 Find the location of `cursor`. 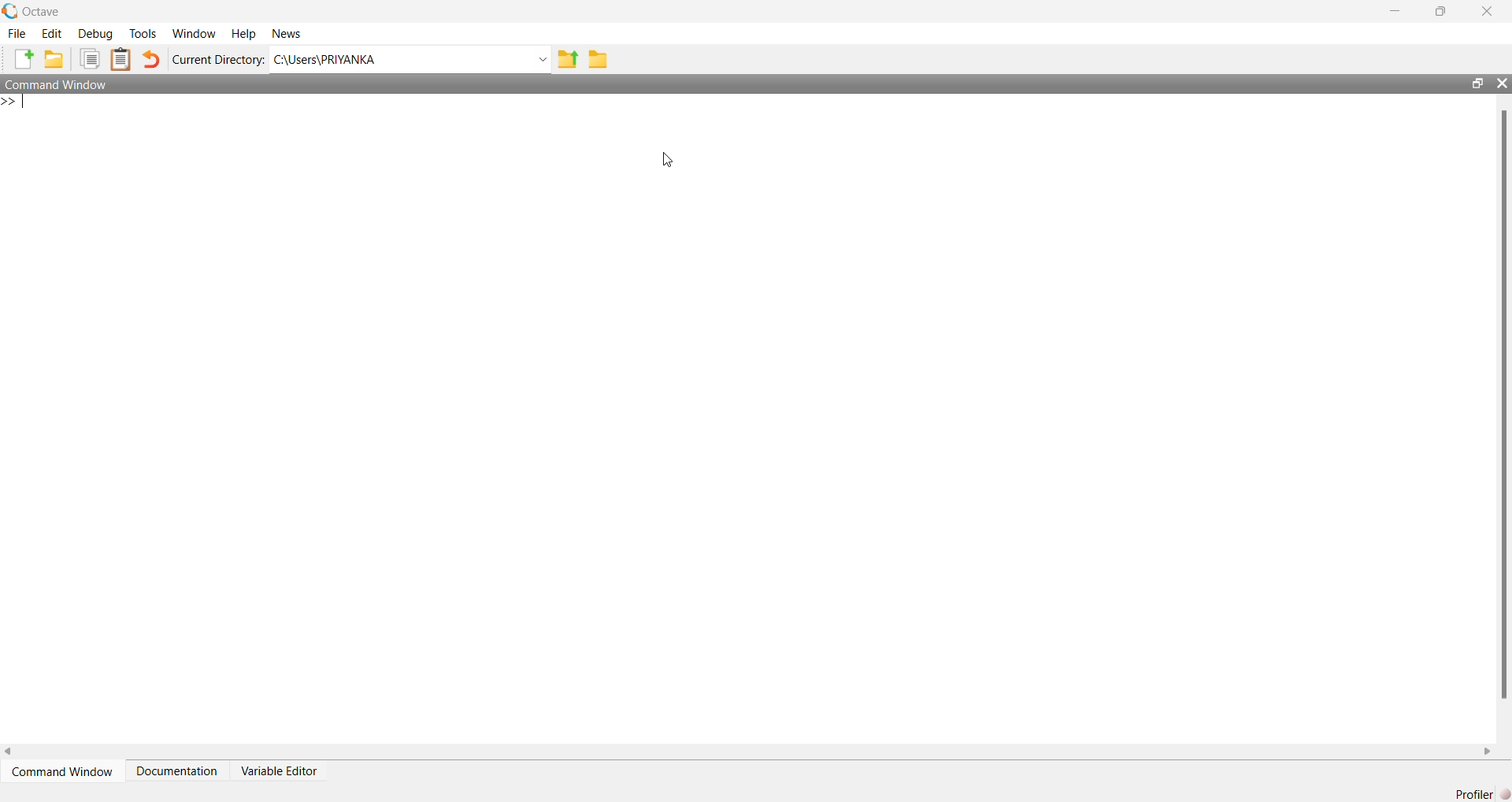

cursor is located at coordinates (669, 160).